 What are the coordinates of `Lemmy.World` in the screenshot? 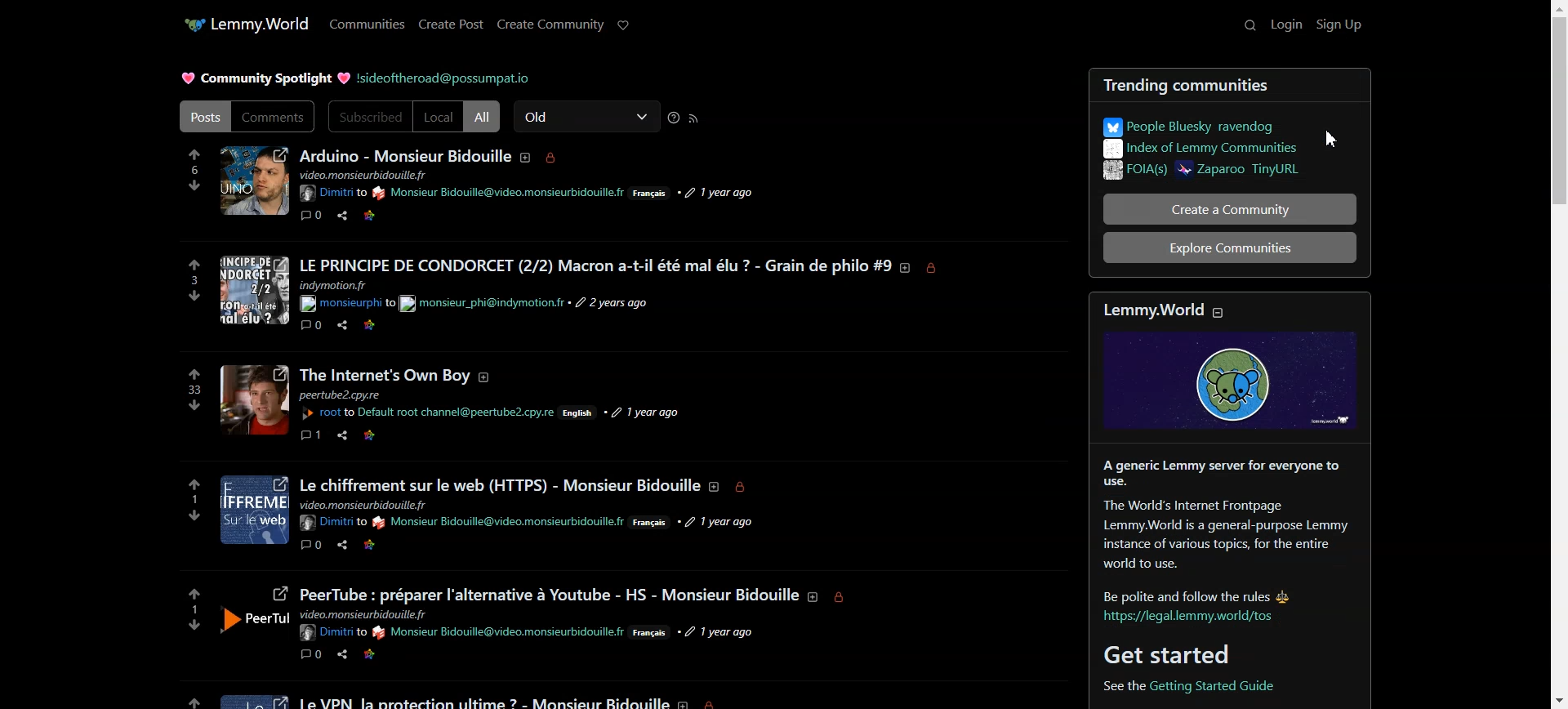 It's located at (1150, 308).